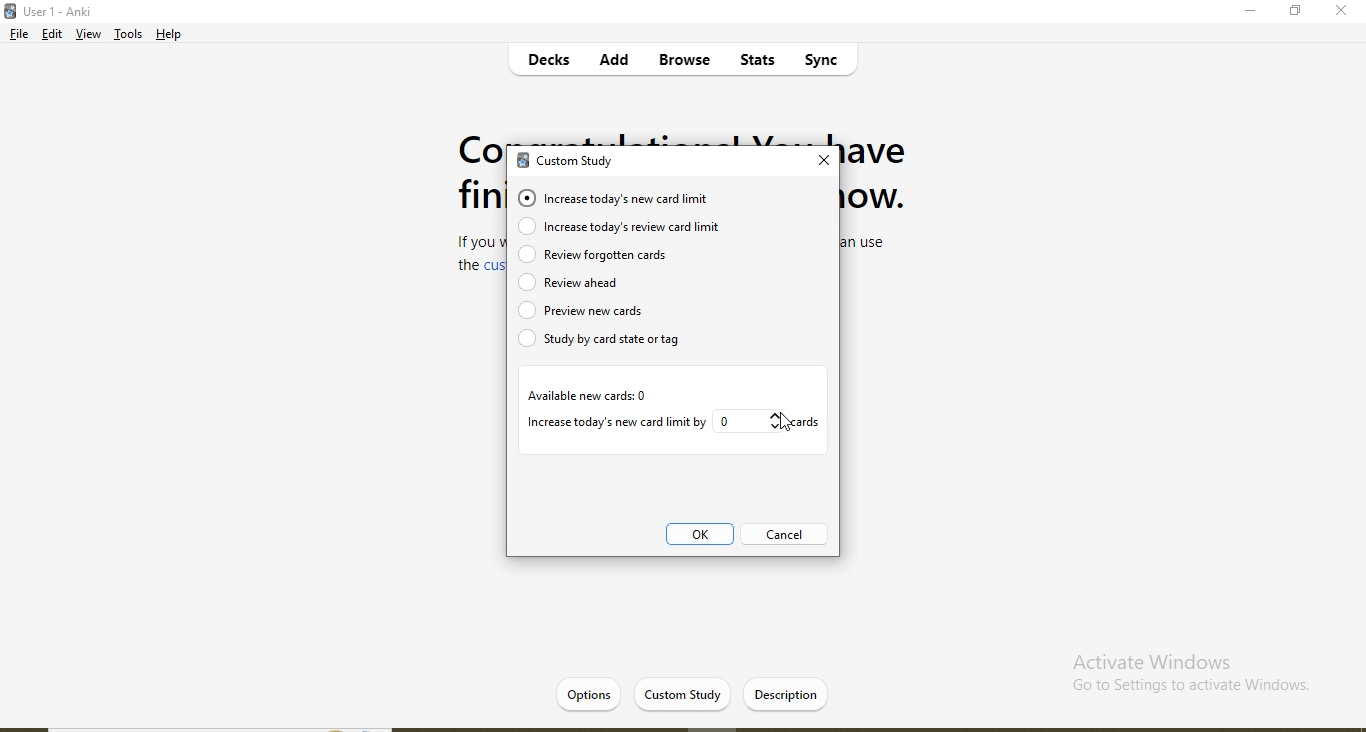 This screenshot has width=1366, height=732. What do you see at coordinates (615, 62) in the screenshot?
I see `add` at bounding box center [615, 62].